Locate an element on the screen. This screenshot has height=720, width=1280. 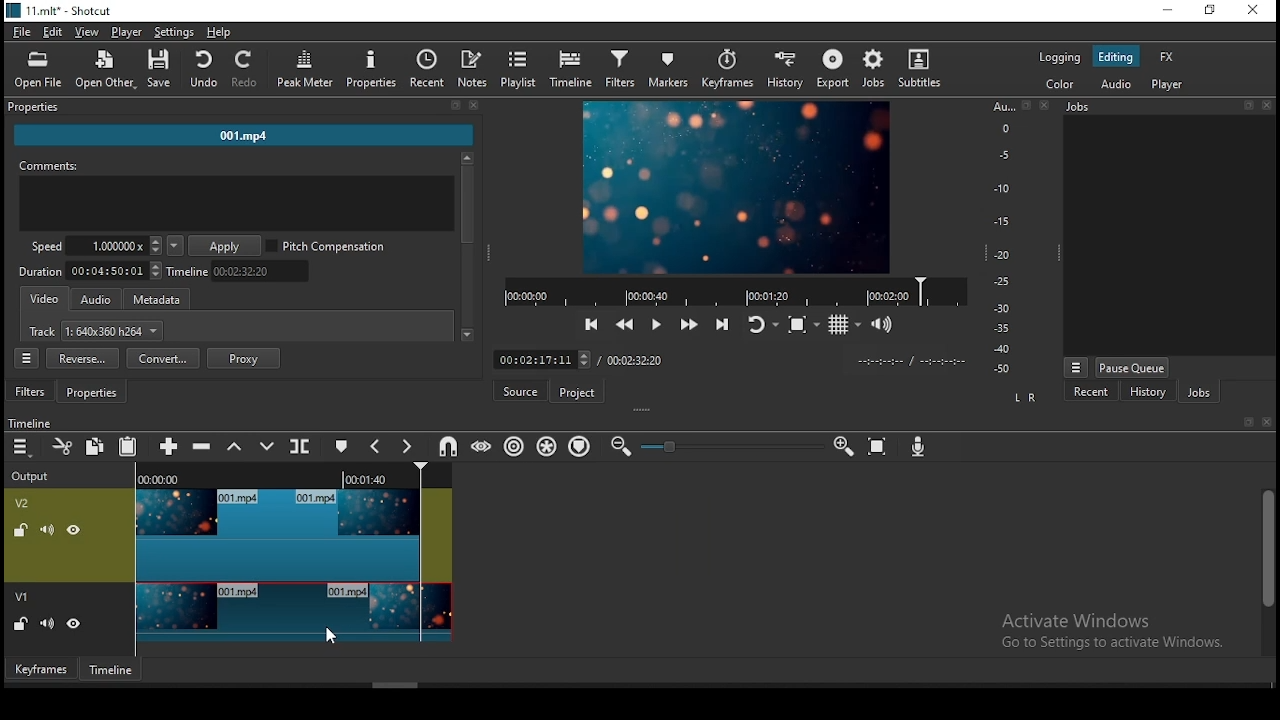
previous marker is located at coordinates (375, 446).